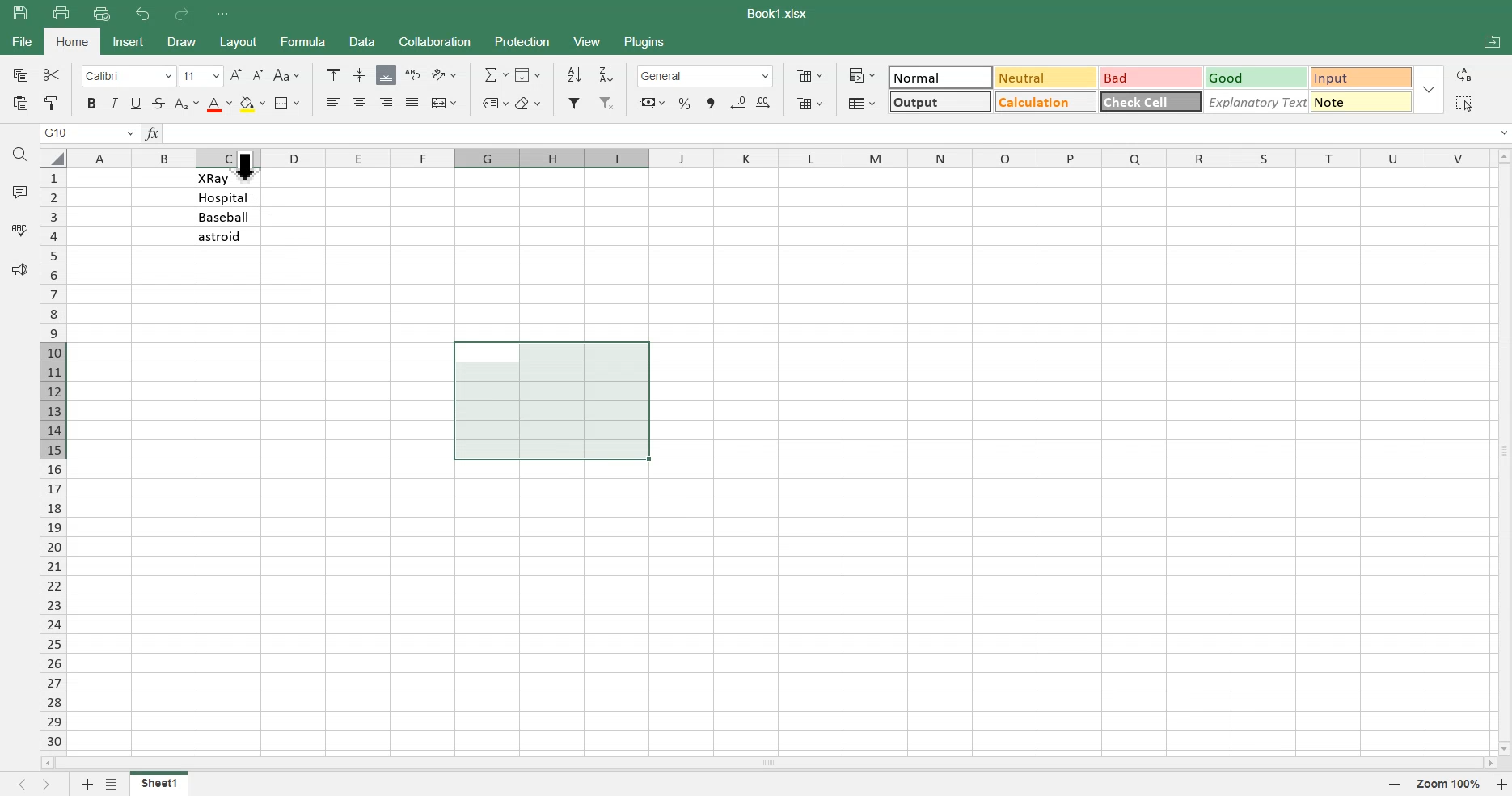 The width and height of the screenshot is (1512, 796). I want to click on Orientation, so click(444, 74).